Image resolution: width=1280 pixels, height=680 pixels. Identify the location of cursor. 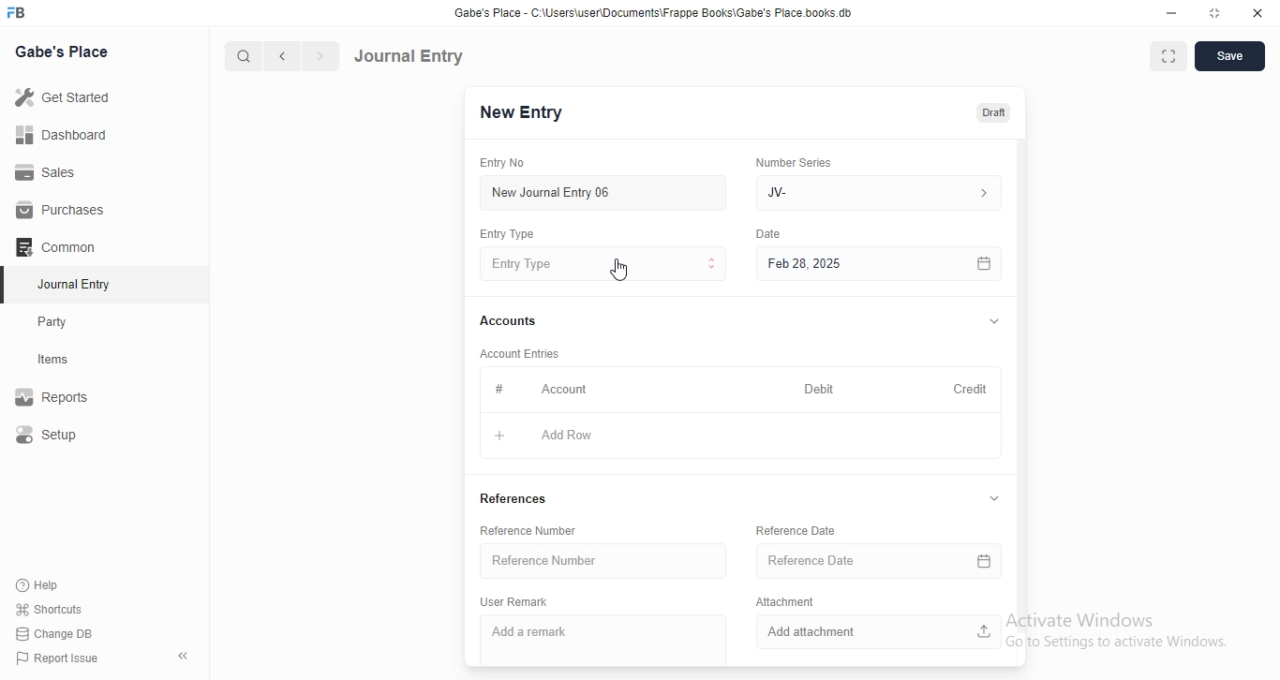
(619, 271).